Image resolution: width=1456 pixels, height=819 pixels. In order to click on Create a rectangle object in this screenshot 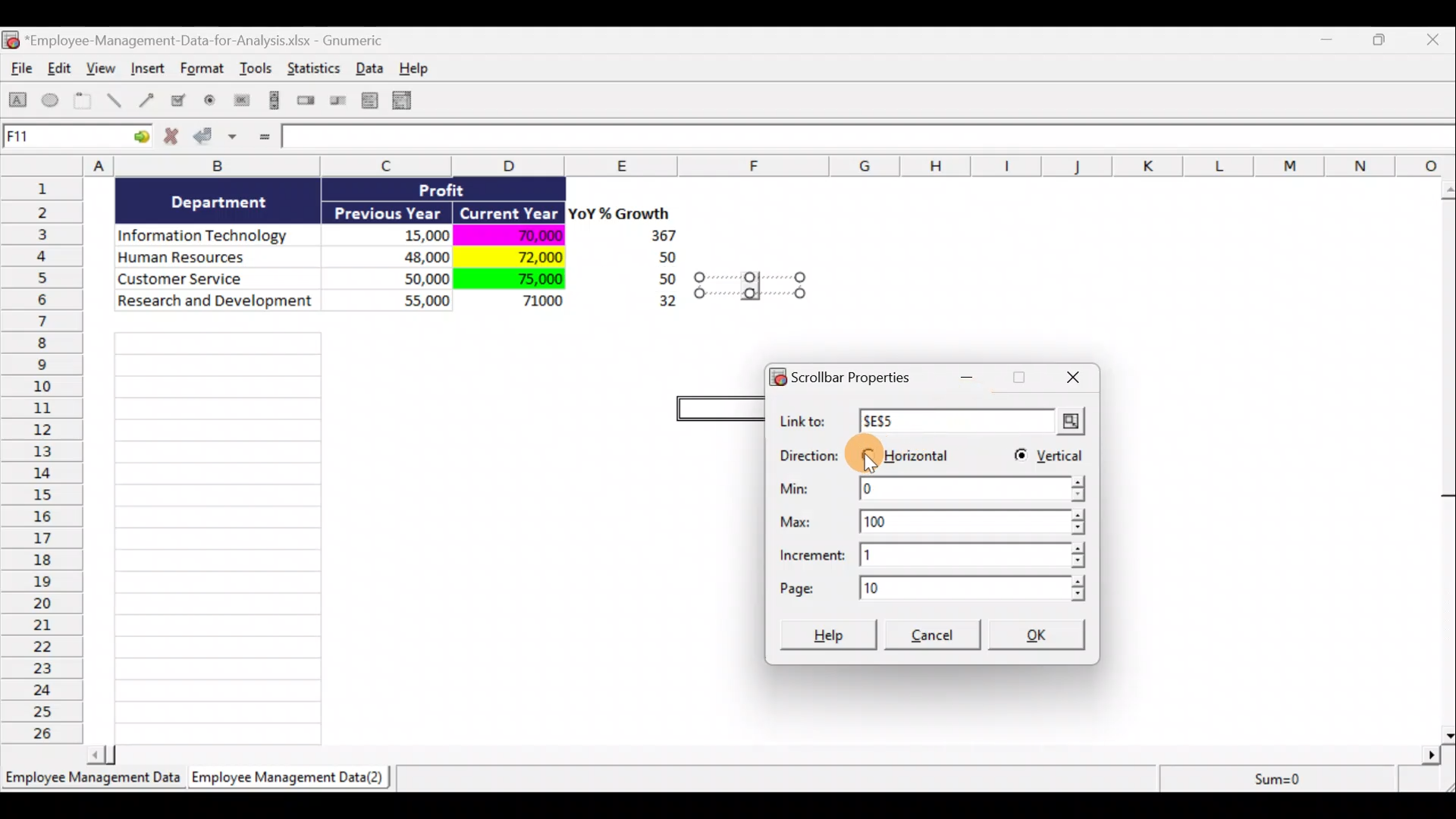, I will do `click(18, 102)`.